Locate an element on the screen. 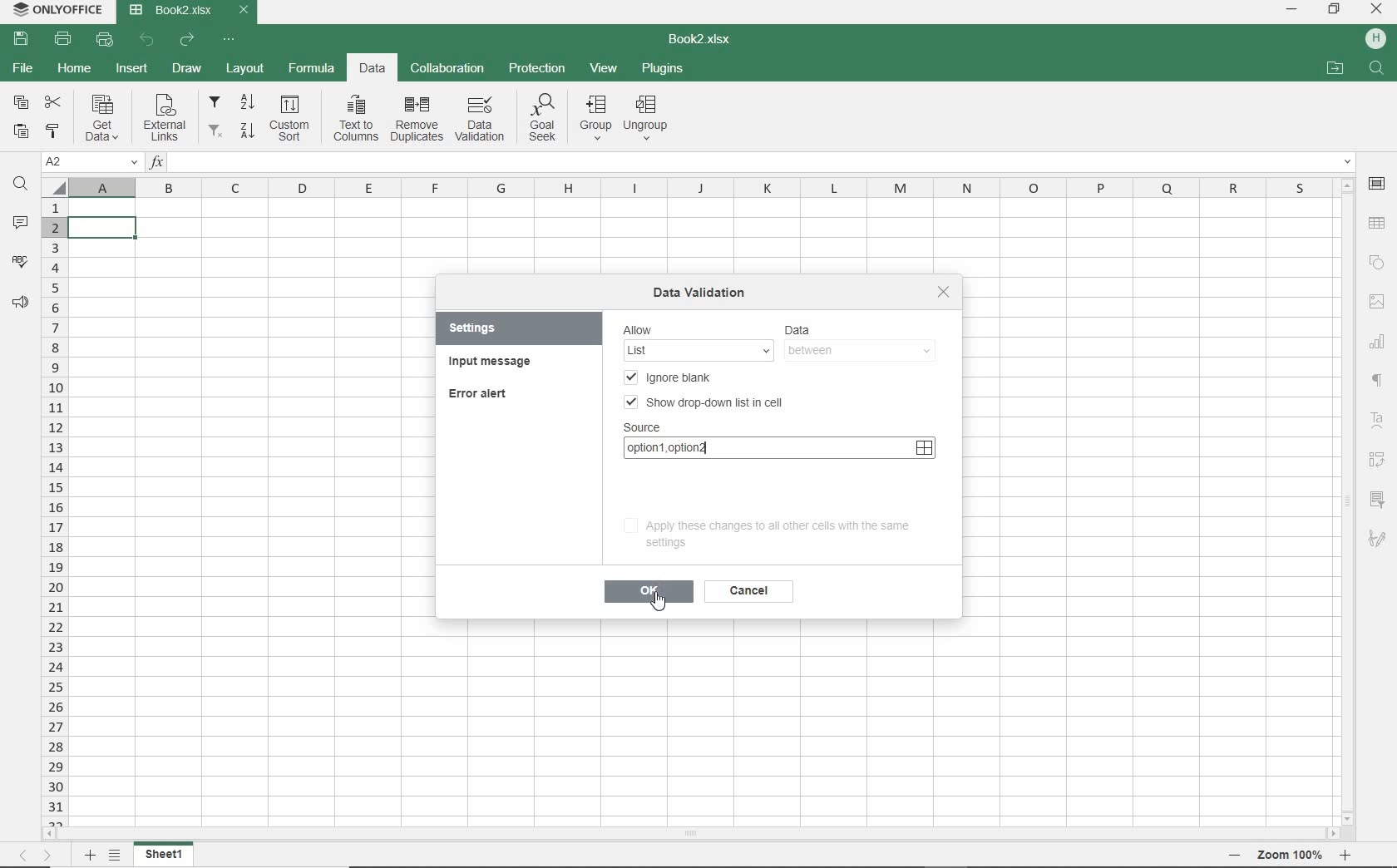 This screenshot has width=1397, height=868. SCROLLBAR is located at coordinates (1348, 496).